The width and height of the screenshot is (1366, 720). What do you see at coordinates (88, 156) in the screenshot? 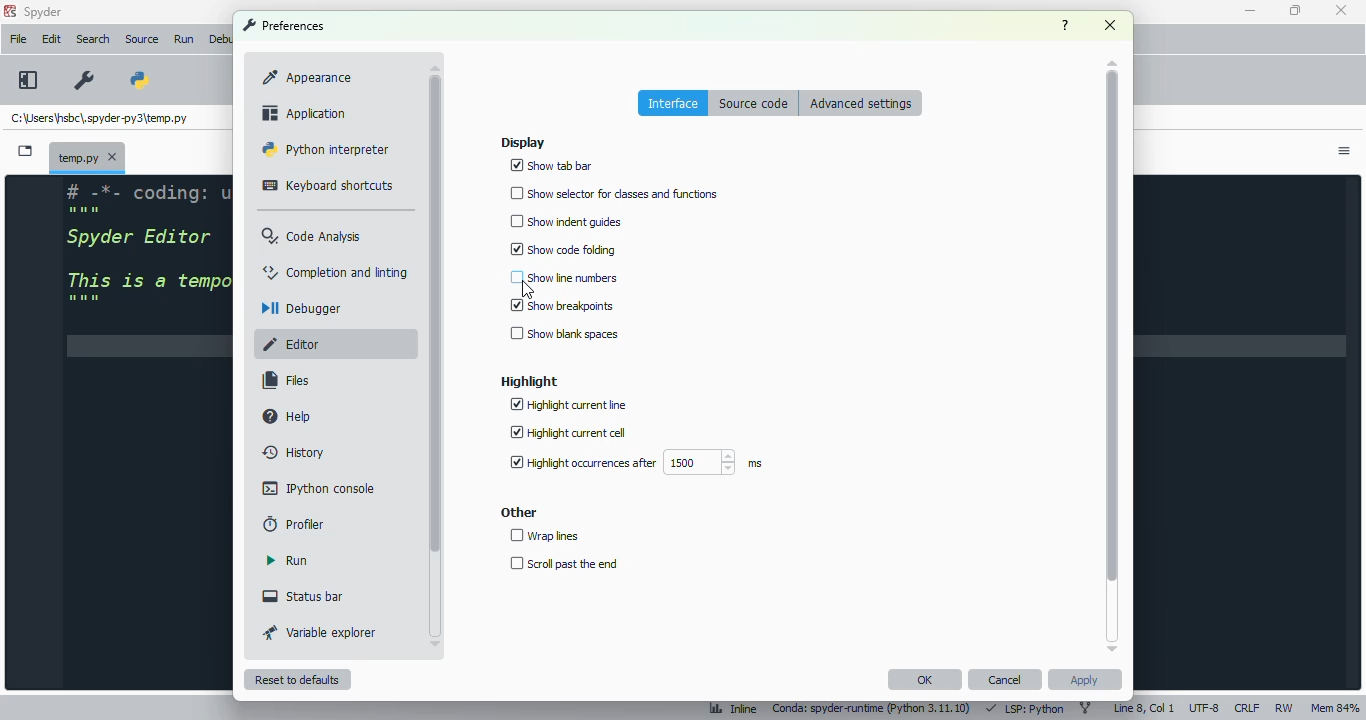
I see `temp` at bounding box center [88, 156].